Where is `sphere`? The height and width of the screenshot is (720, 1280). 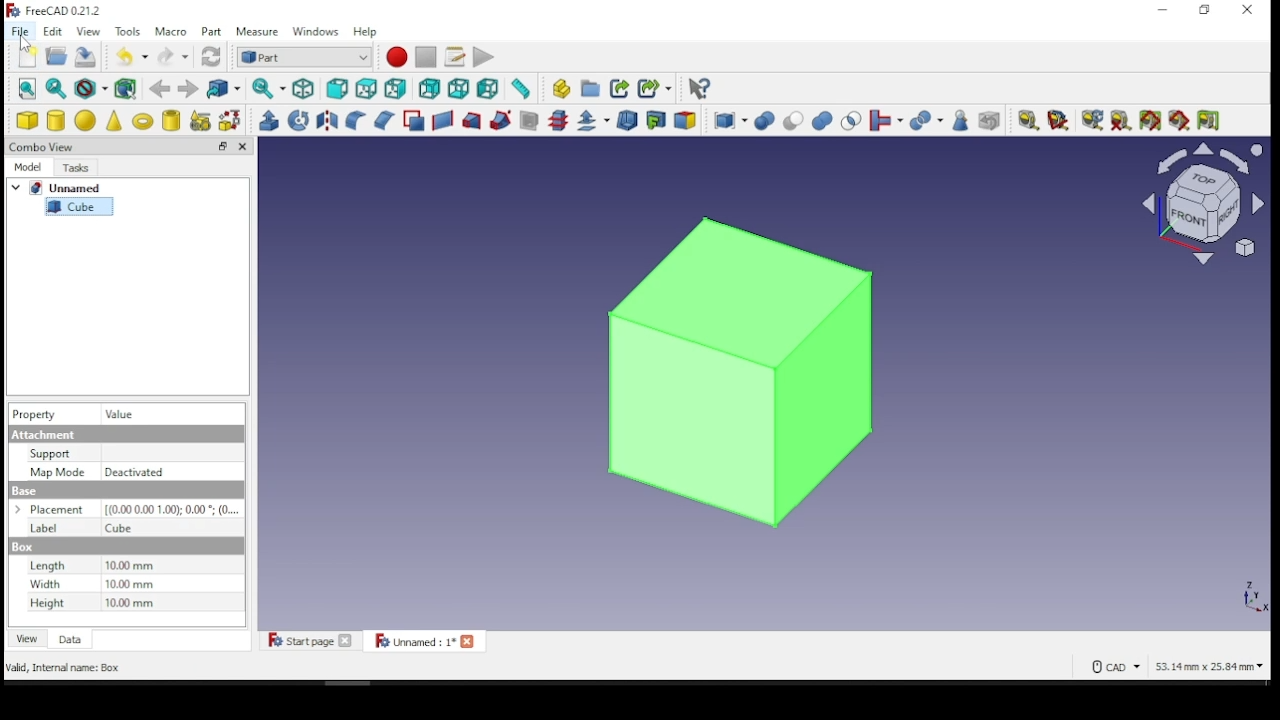
sphere is located at coordinates (86, 120).